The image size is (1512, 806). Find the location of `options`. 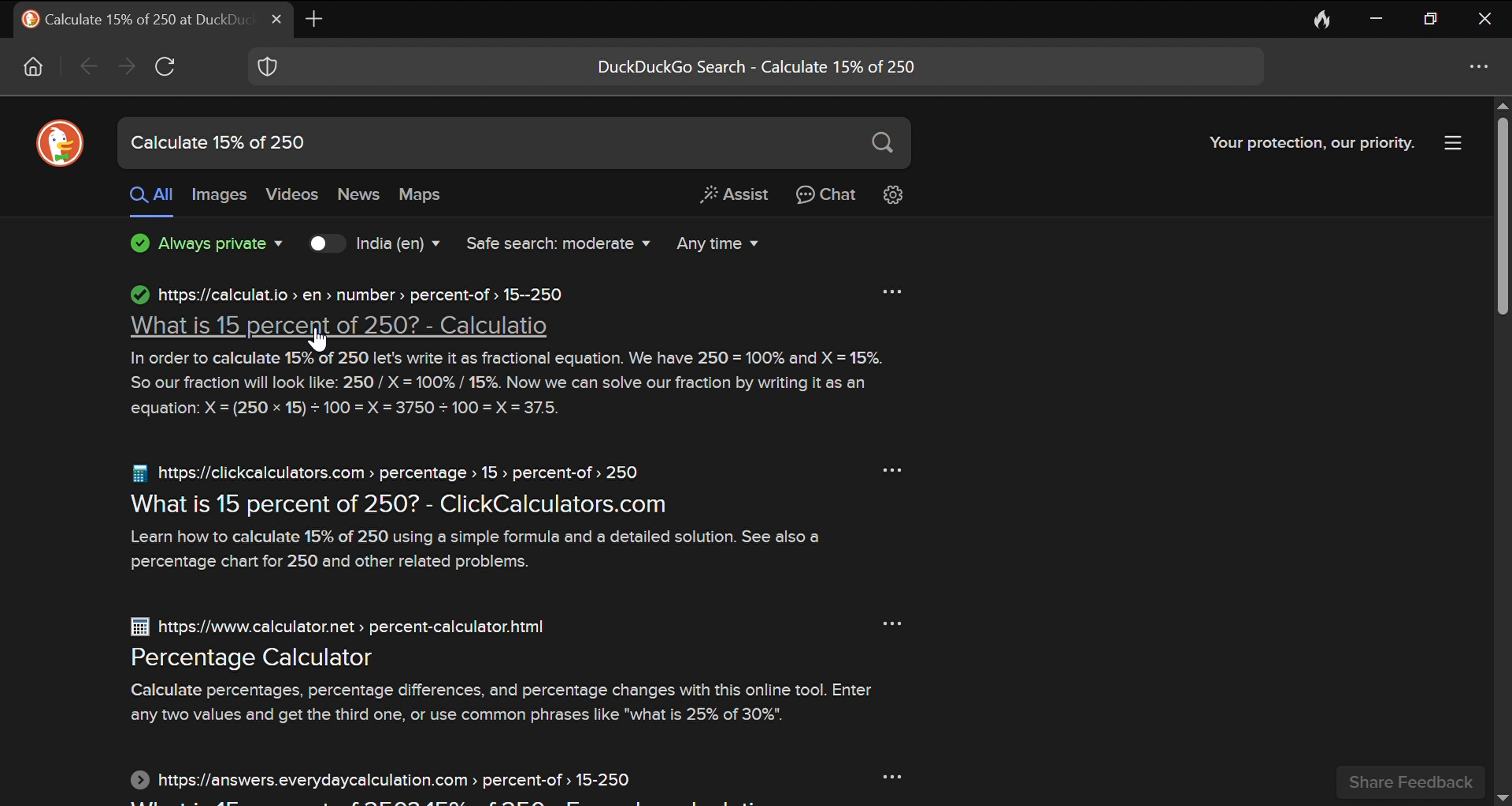

options is located at coordinates (1476, 69).